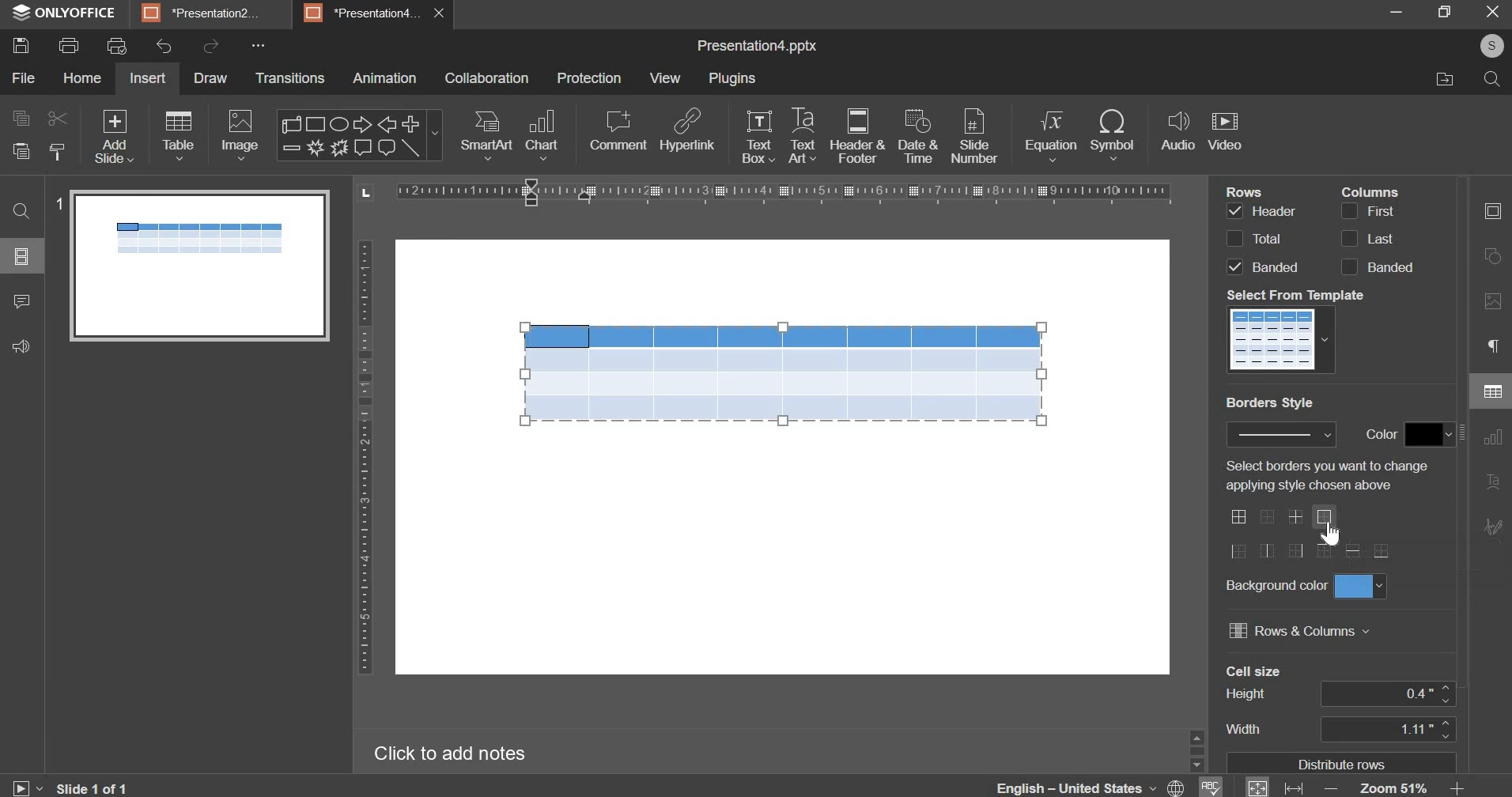  Describe the element at coordinates (444, 12) in the screenshot. I see `close` at that location.